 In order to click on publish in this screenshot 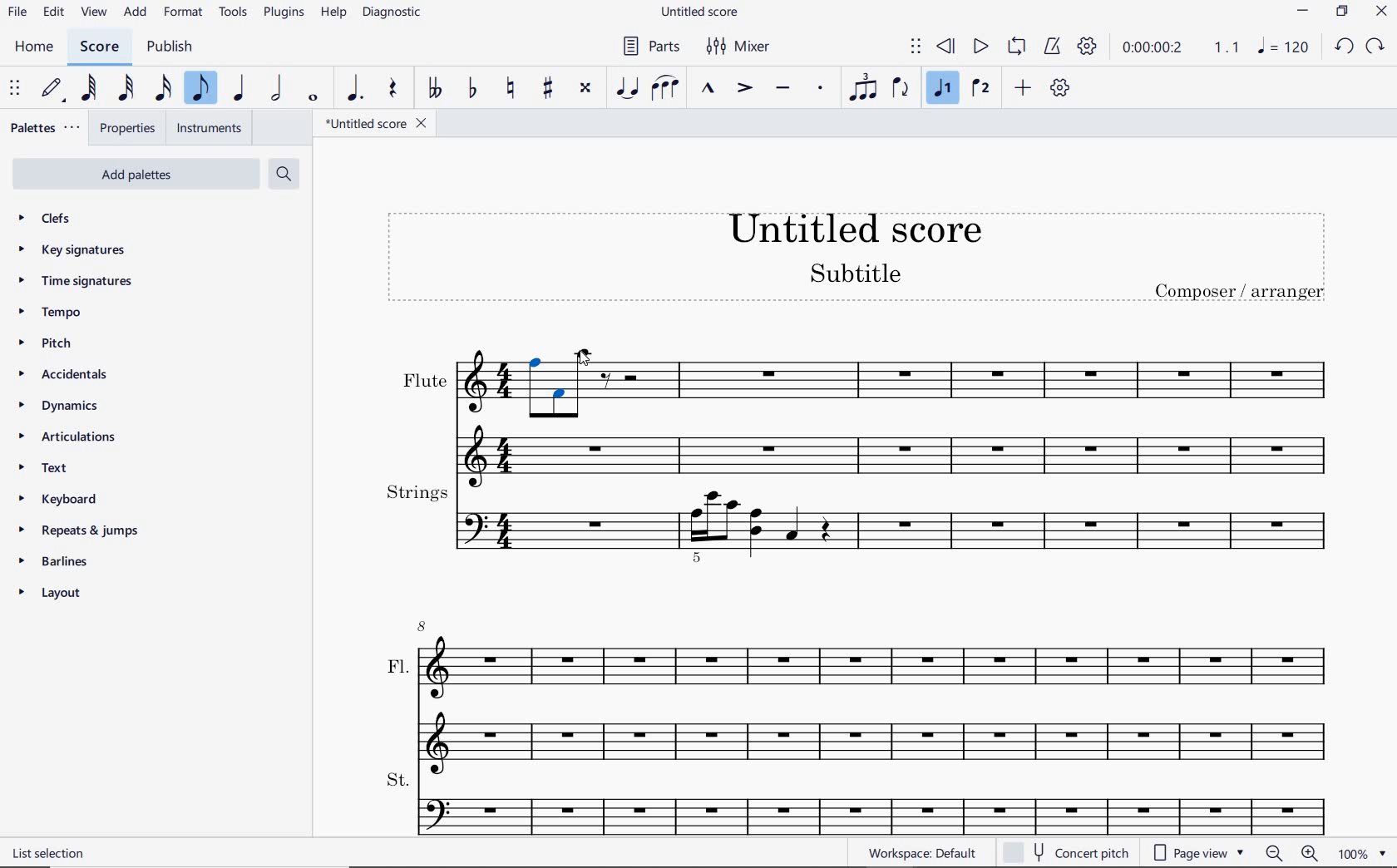, I will do `click(169, 47)`.